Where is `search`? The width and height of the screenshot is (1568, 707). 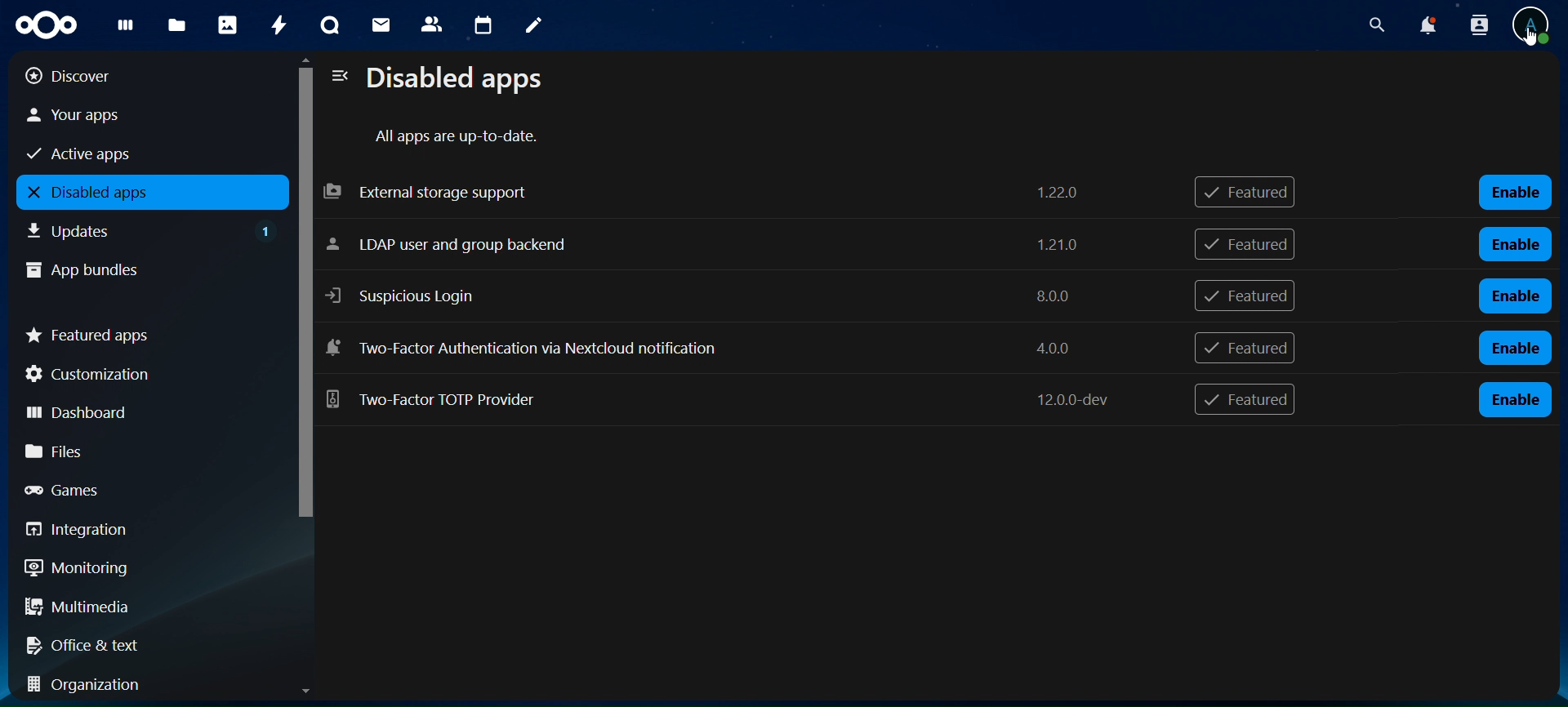
search is located at coordinates (1377, 25).